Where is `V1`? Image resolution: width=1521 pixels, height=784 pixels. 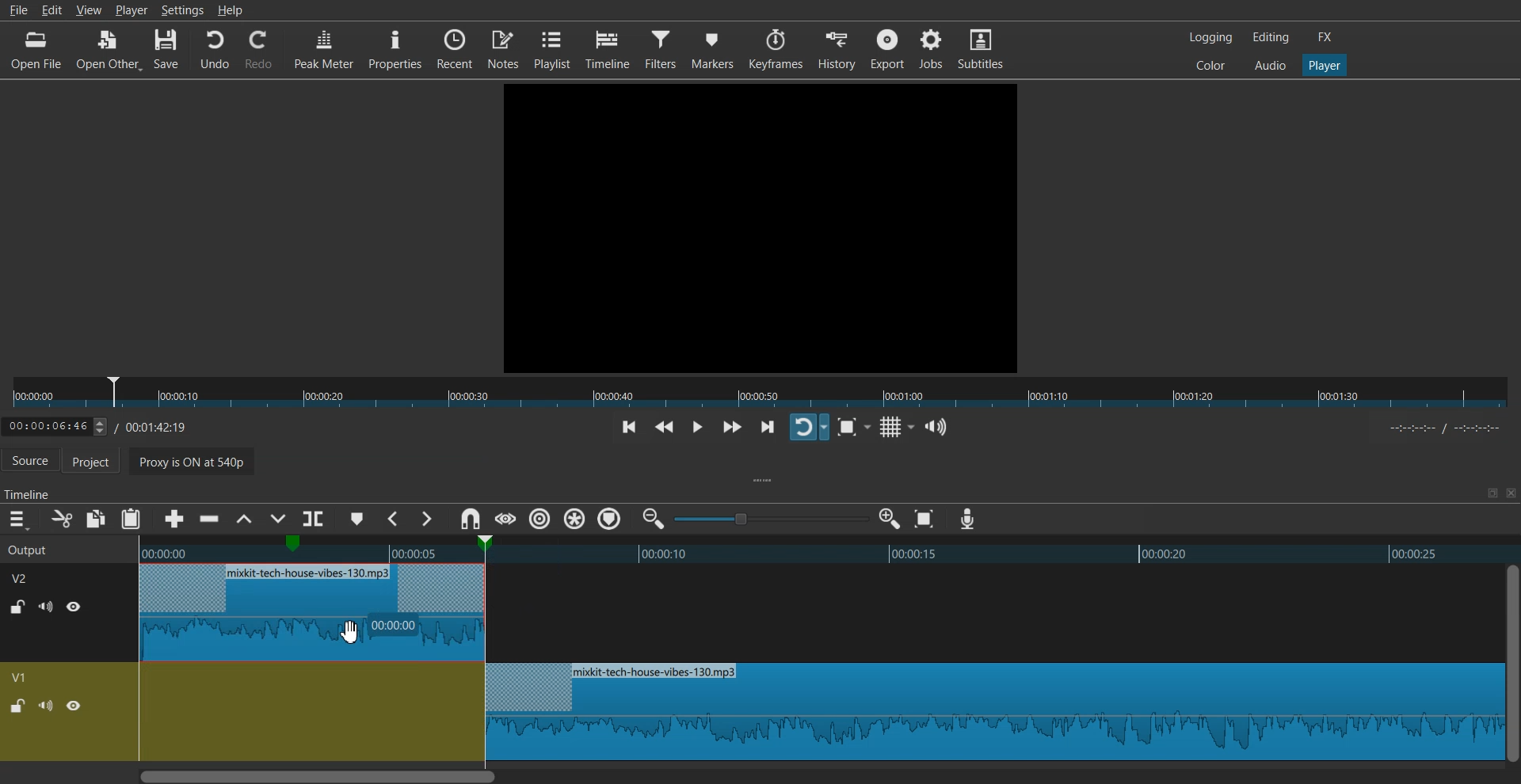 V1 is located at coordinates (21, 677).